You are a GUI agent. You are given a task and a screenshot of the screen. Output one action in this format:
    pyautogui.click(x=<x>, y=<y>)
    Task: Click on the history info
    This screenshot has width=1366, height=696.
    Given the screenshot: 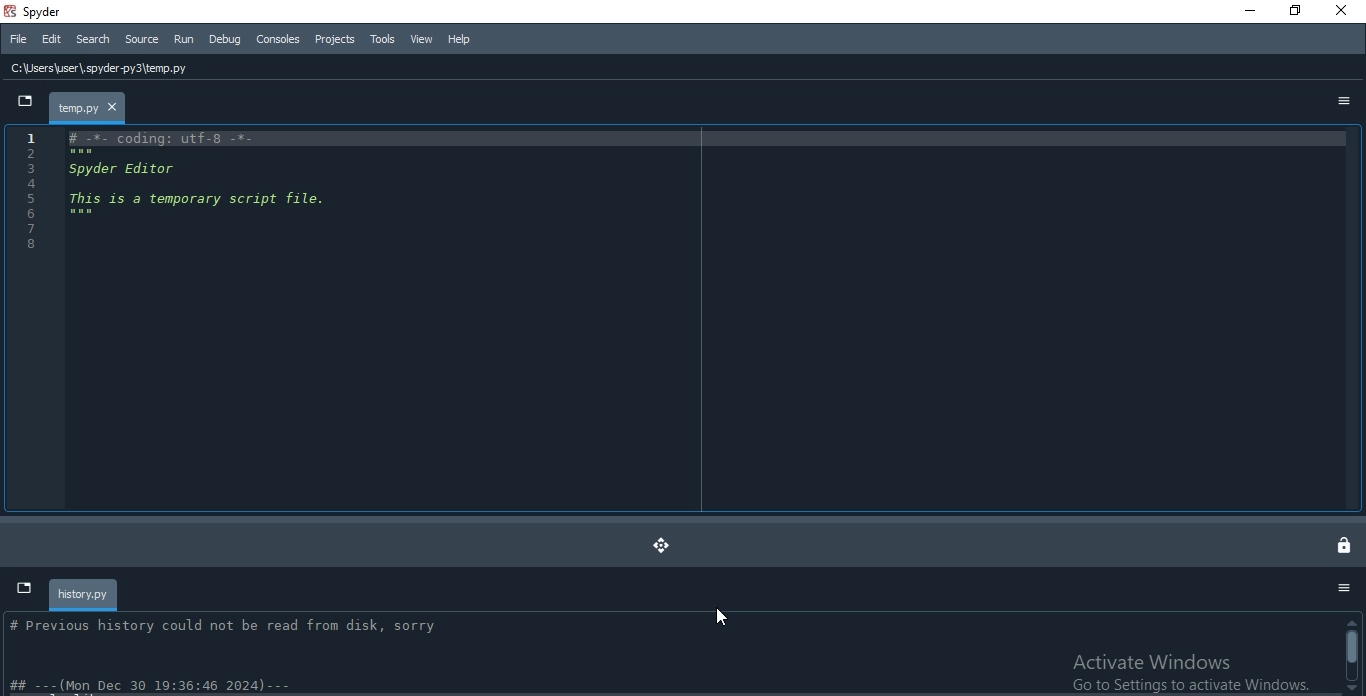 What is the action you would take?
    pyautogui.click(x=667, y=652)
    